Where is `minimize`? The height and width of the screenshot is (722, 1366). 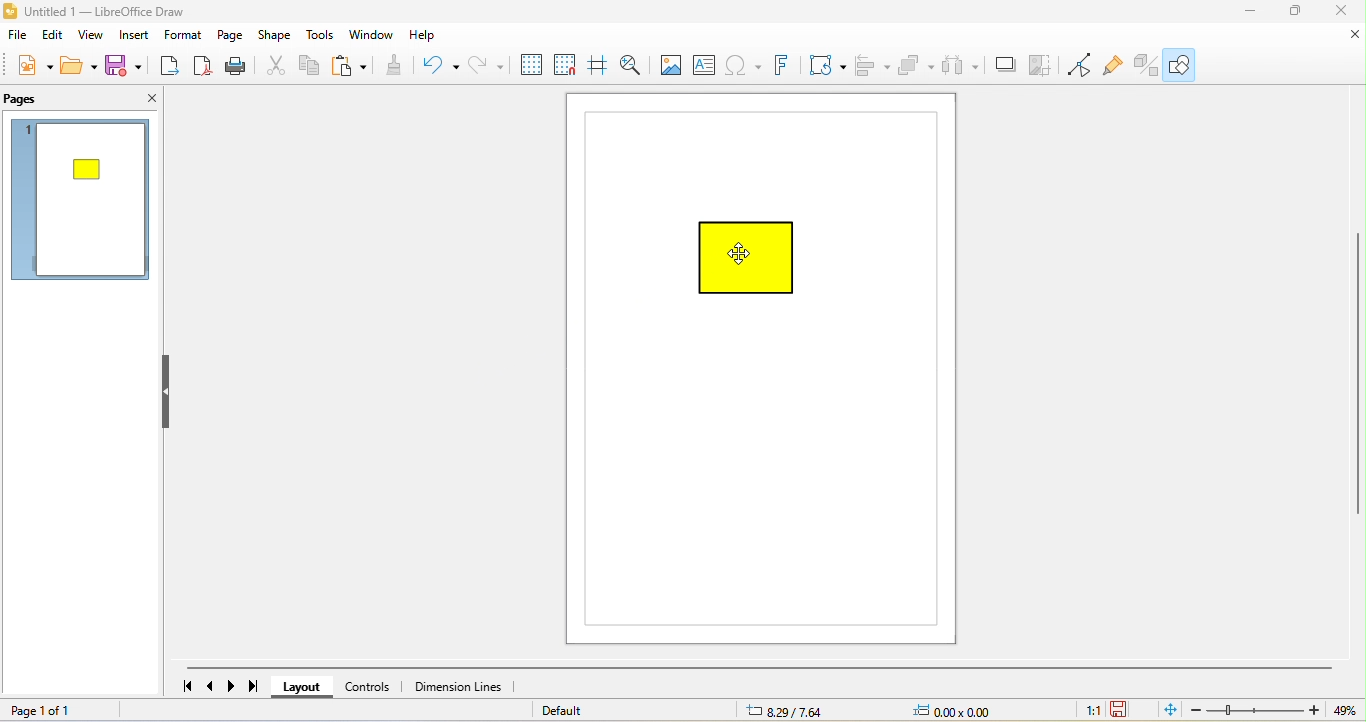
minimize is located at coordinates (1244, 12).